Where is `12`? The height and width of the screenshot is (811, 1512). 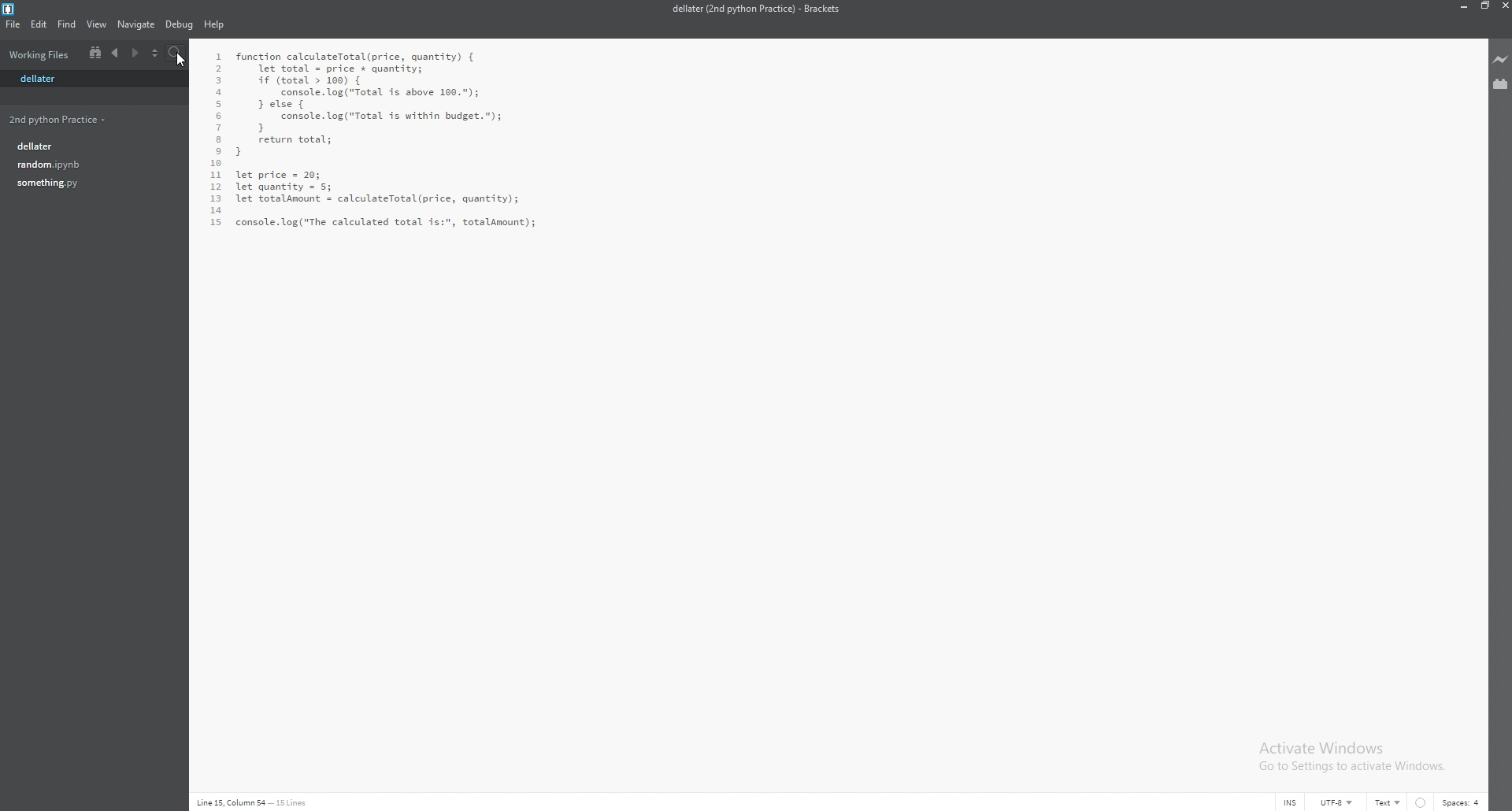
12 is located at coordinates (217, 187).